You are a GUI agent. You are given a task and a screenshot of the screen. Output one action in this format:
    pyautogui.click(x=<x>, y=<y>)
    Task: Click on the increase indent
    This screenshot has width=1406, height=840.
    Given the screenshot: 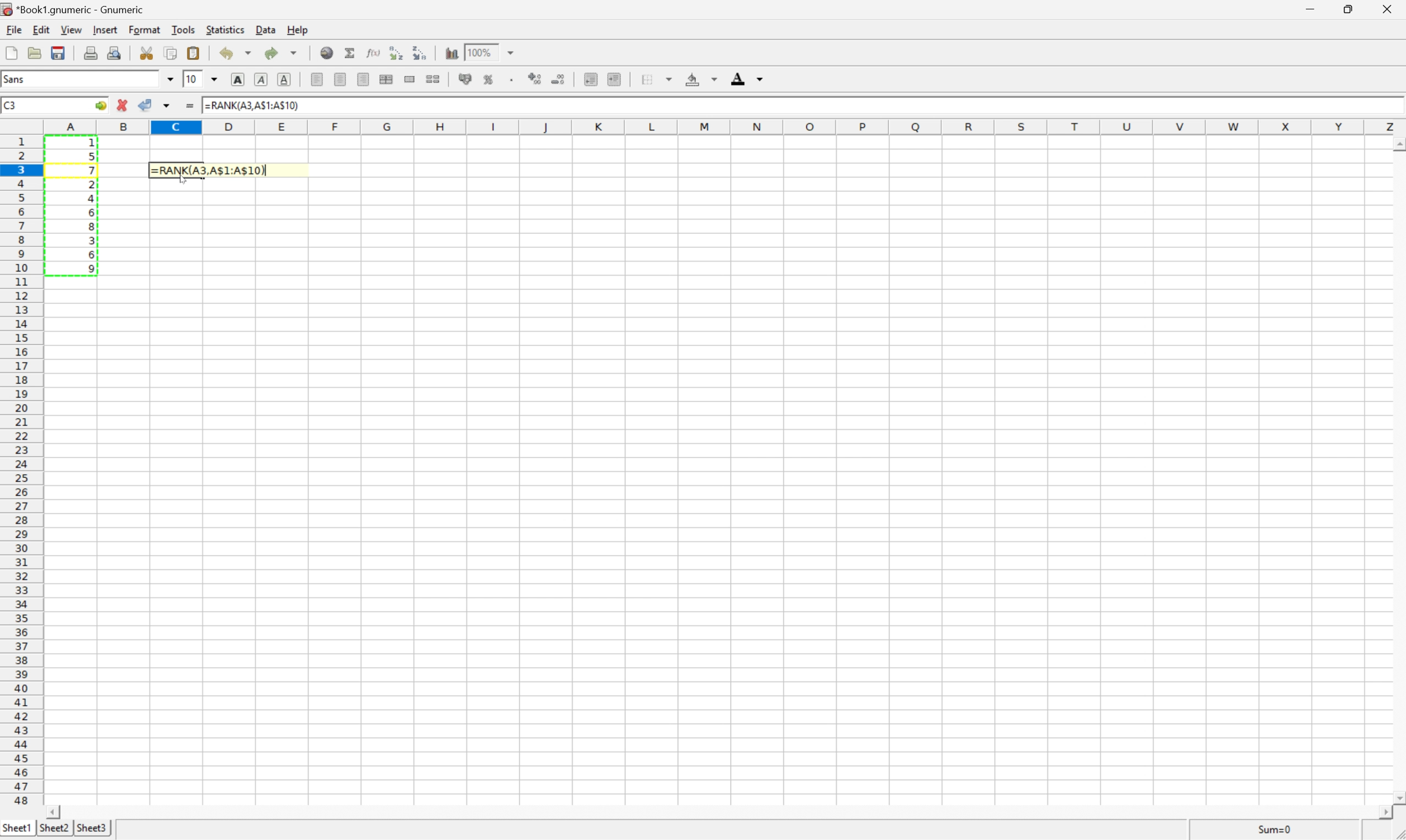 What is the action you would take?
    pyautogui.click(x=618, y=80)
    